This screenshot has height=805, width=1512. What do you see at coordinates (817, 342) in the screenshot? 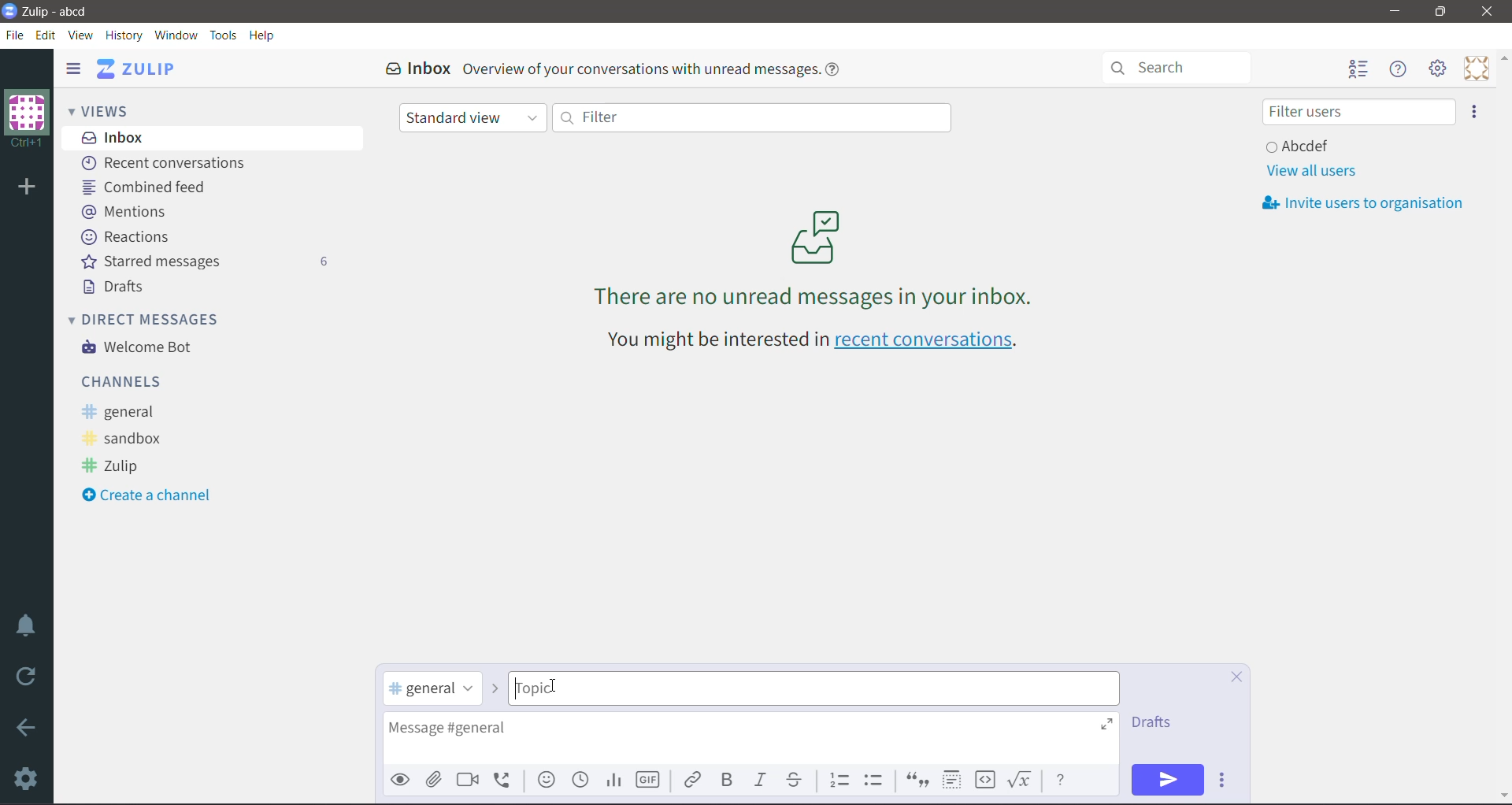
I see `You might be interested in recent conversations - Click link to open recent conversations` at bounding box center [817, 342].